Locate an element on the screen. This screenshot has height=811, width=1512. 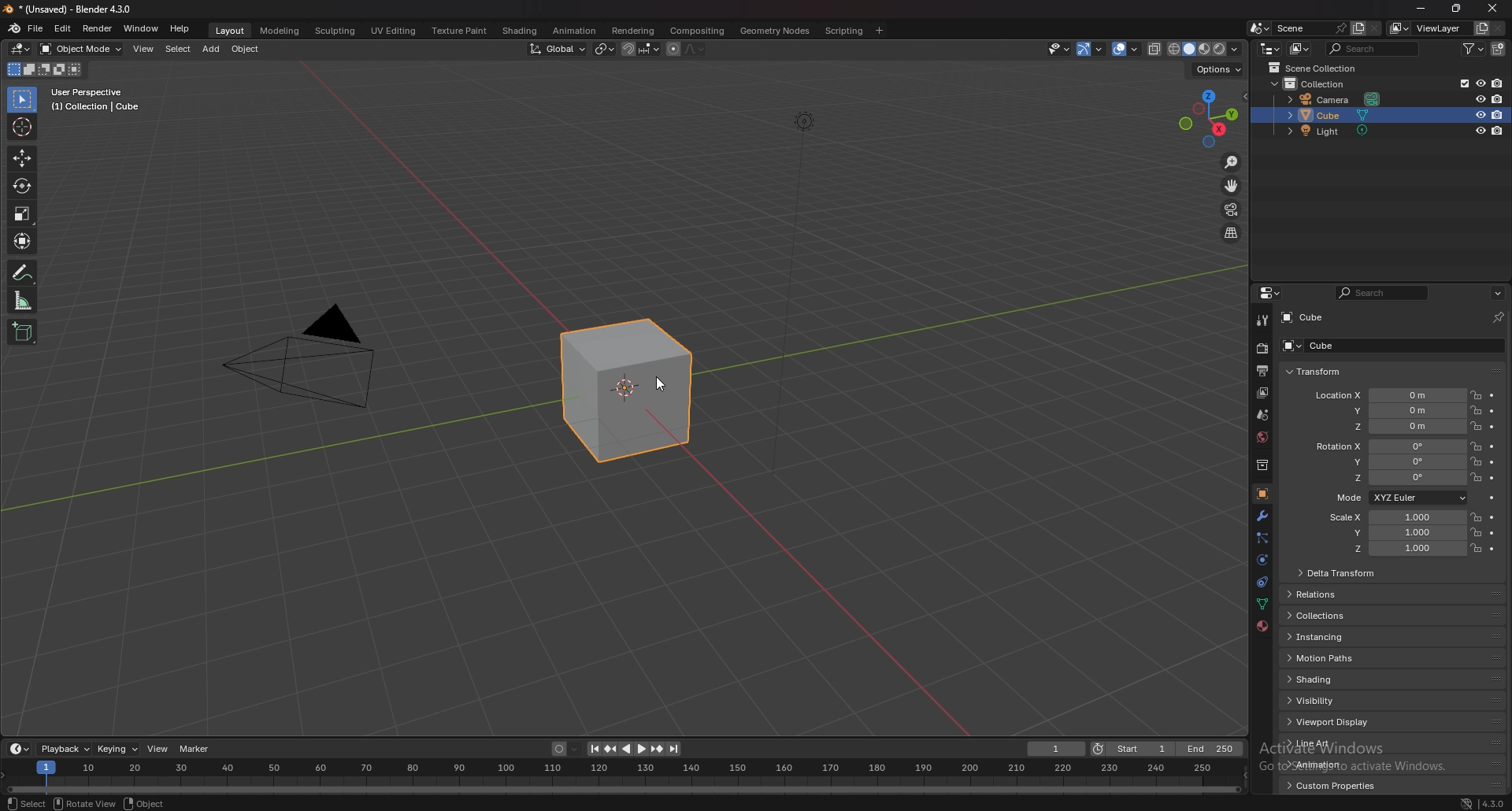
lock location is located at coordinates (1477, 517).